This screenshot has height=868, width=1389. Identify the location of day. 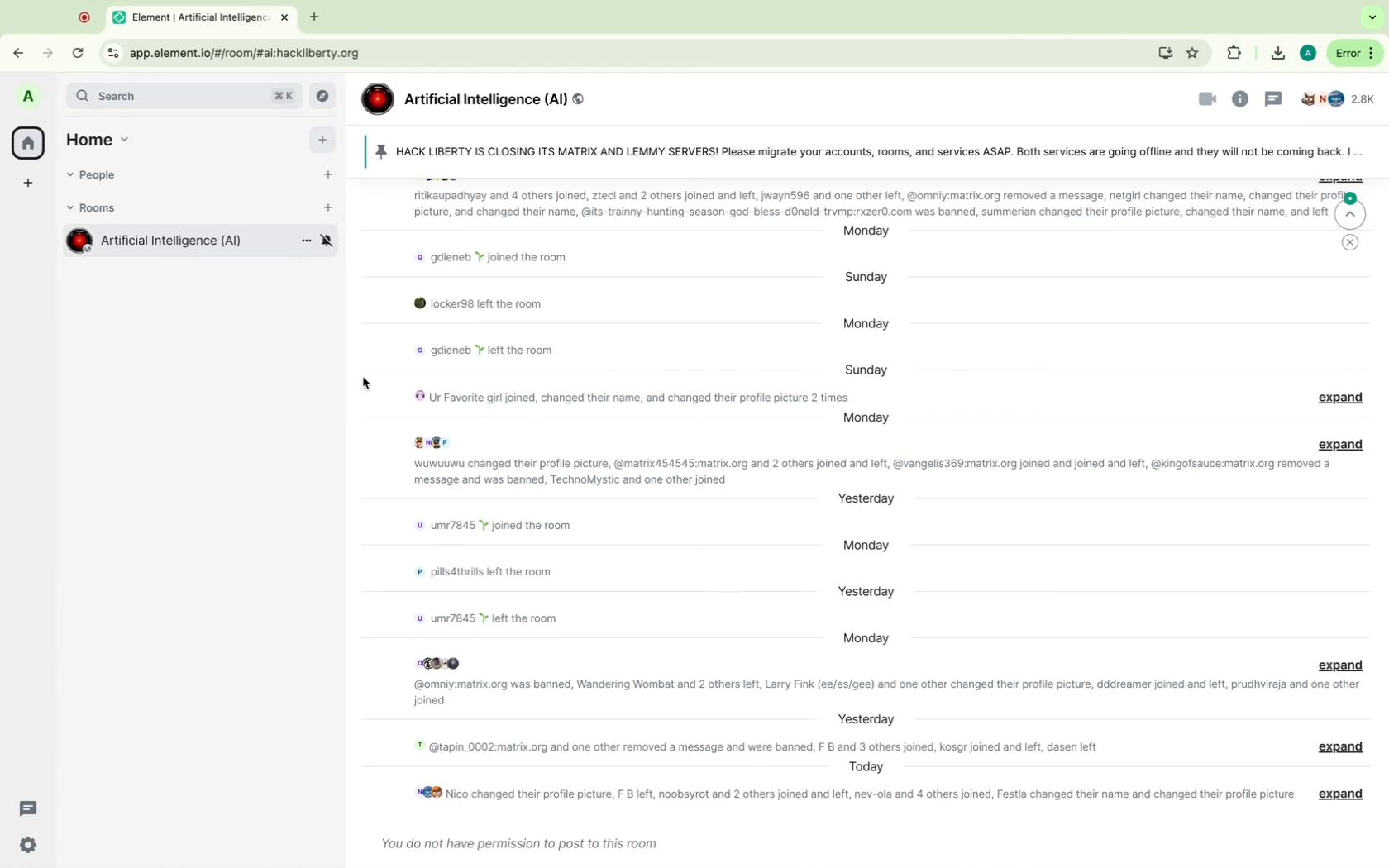
(867, 235).